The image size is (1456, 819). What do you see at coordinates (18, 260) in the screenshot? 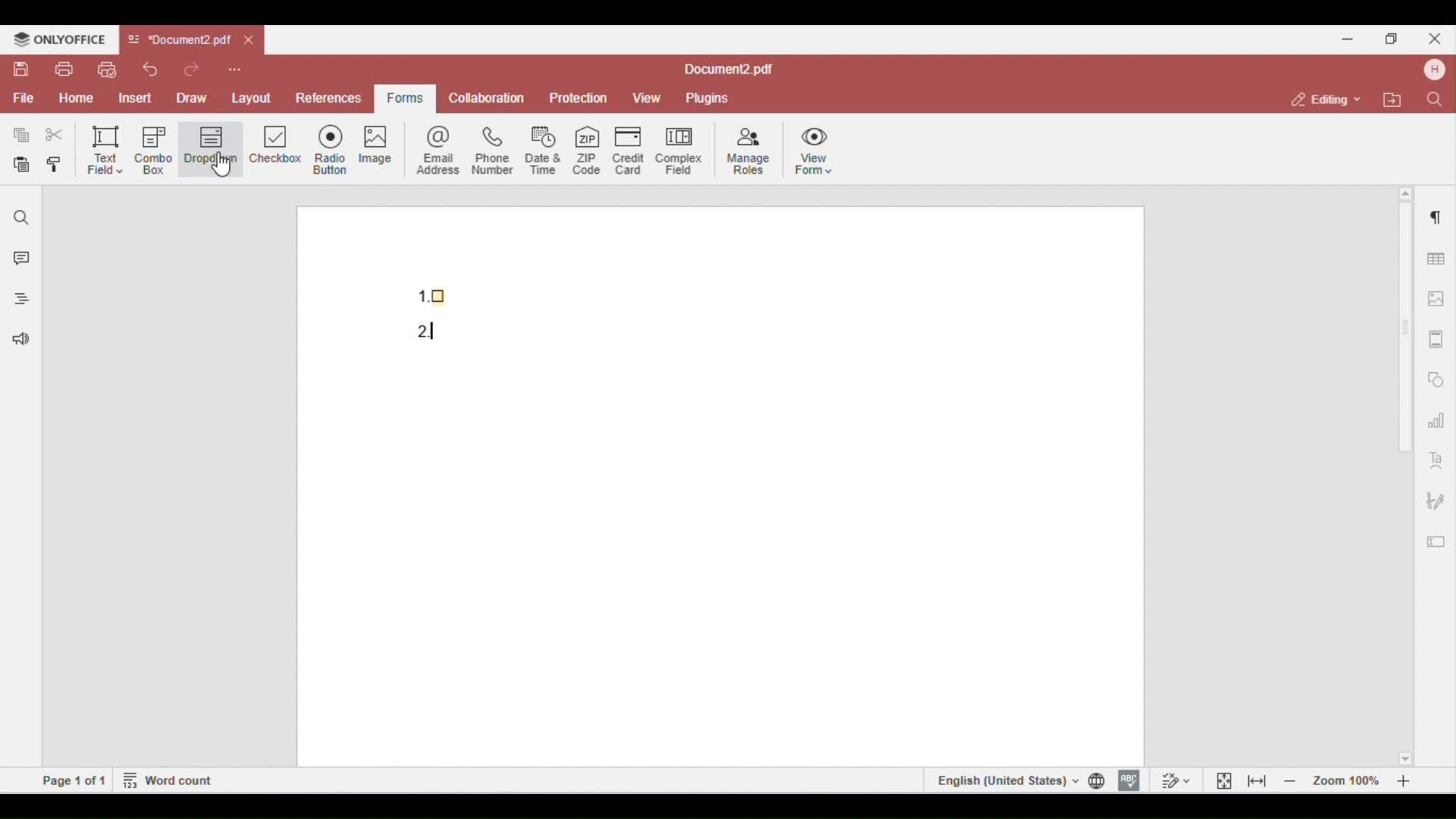
I see `comments` at bounding box center [18, 260].